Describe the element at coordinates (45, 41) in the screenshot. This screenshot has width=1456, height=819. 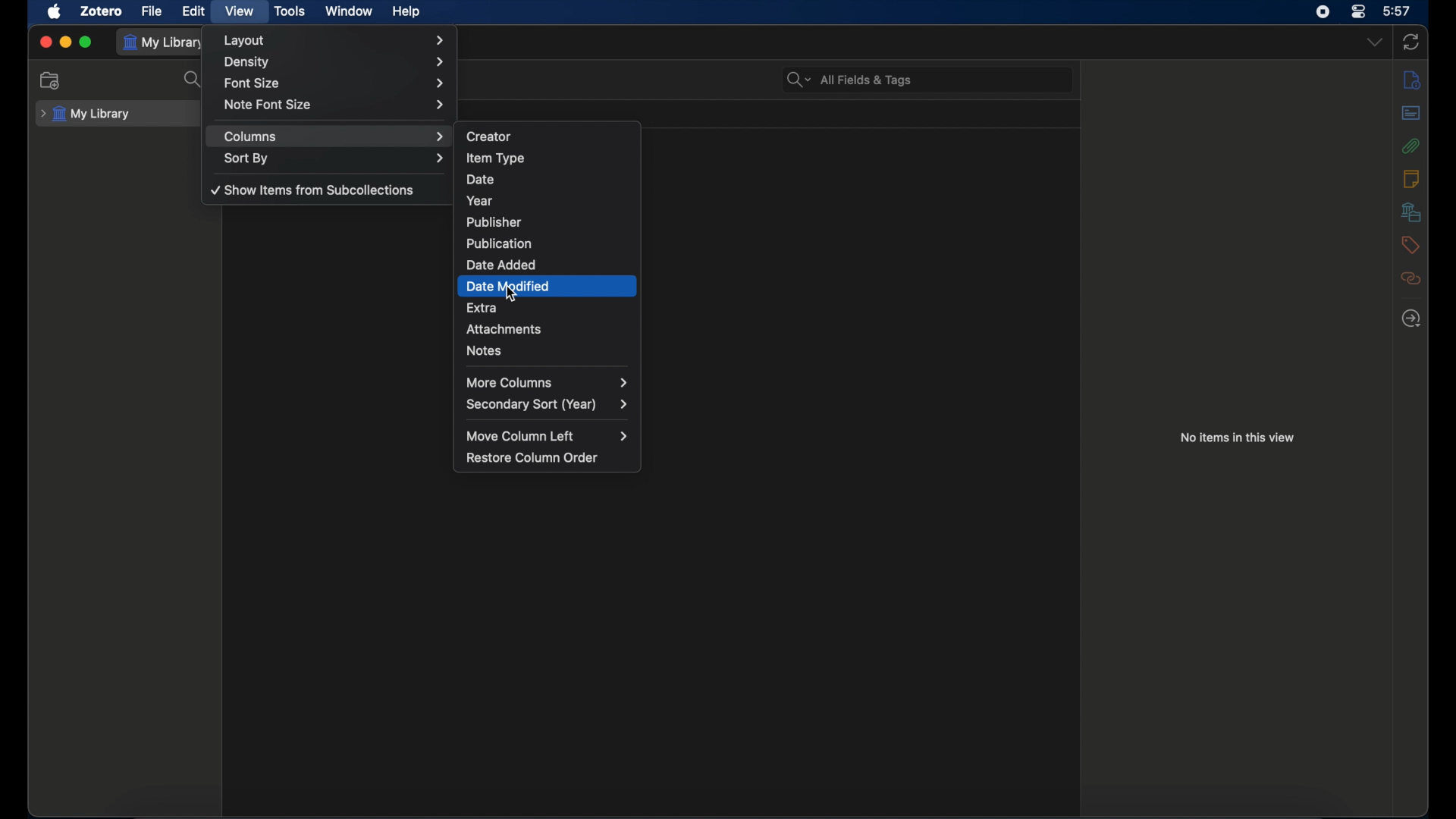
I see `close` at that location.